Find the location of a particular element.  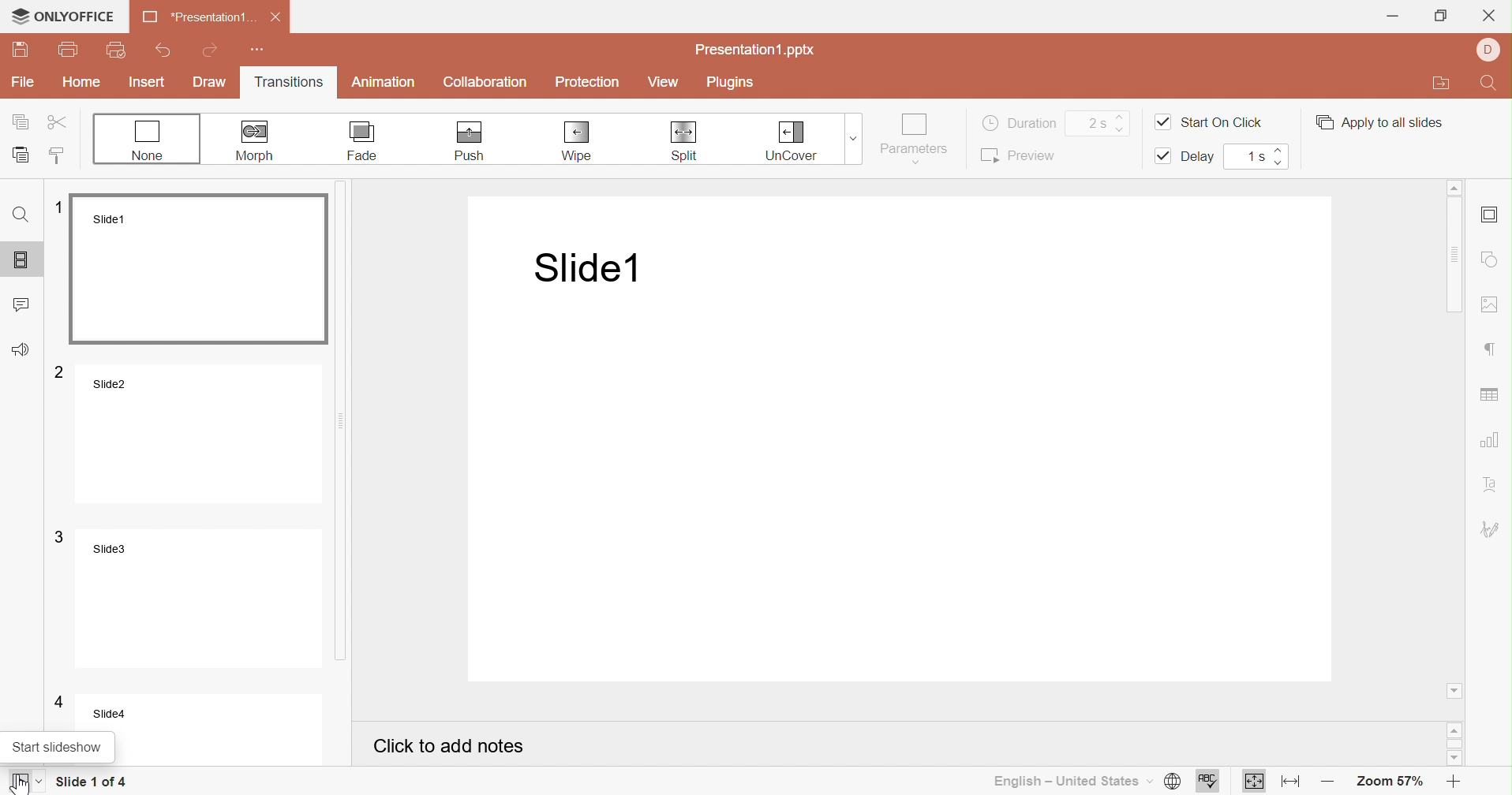

Print file is located at coordinates (68, 50).